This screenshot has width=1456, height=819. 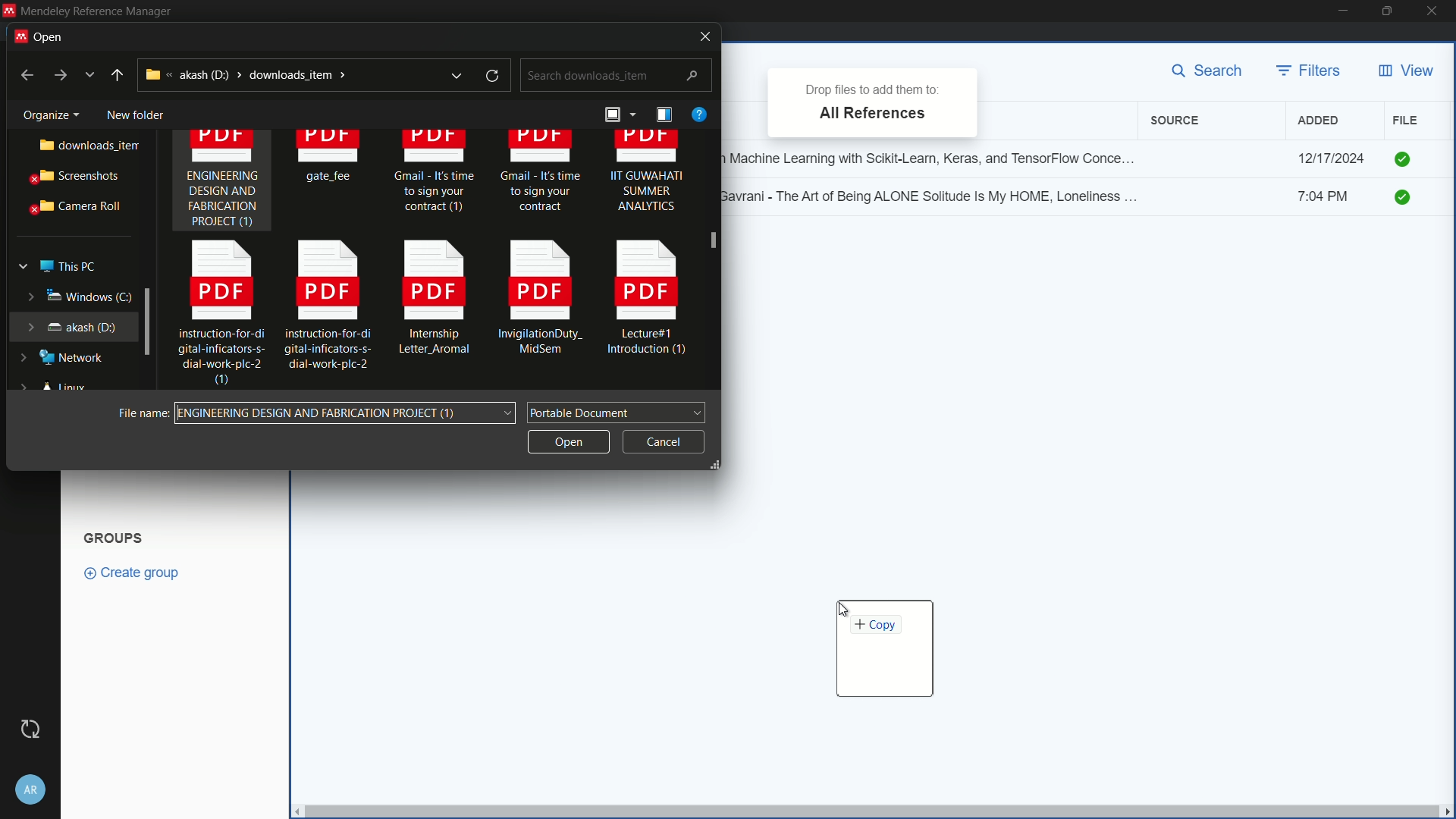 I want to click on help, so click(x=698, y=114).